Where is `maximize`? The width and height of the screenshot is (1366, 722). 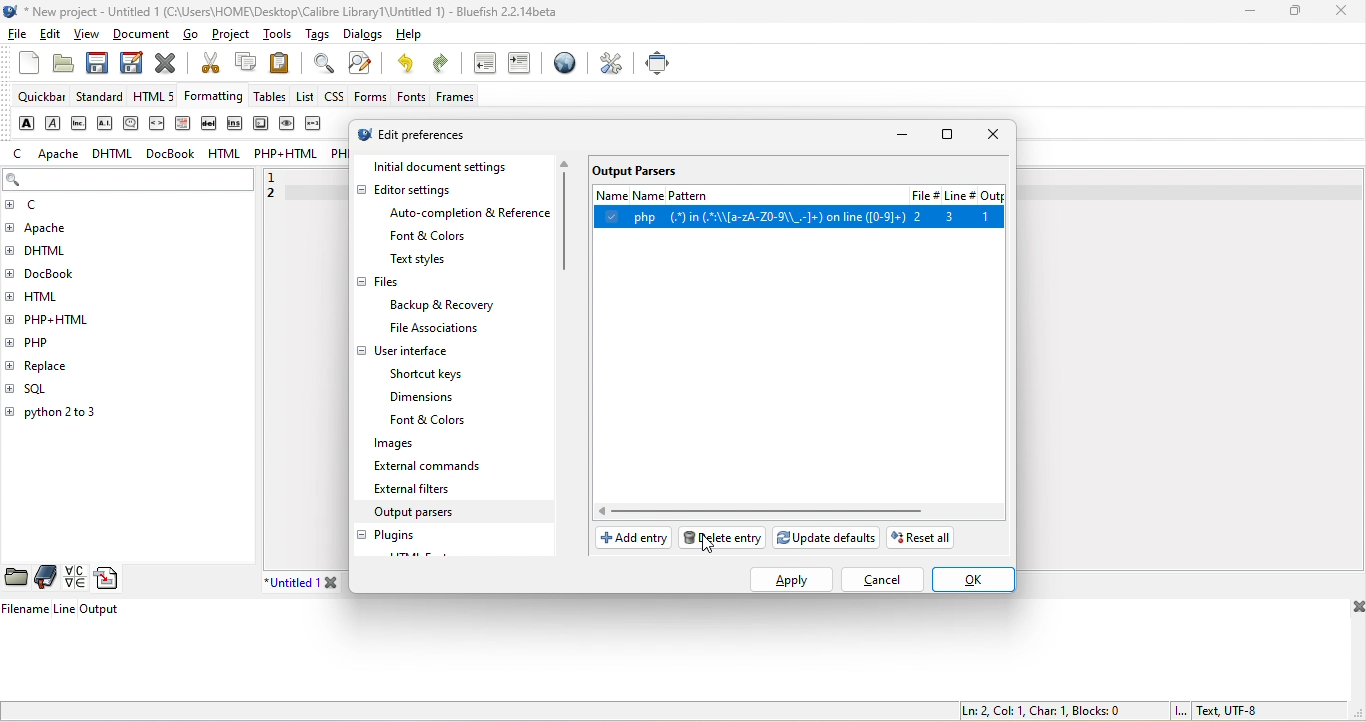 maximize is located at coordinates (1296, 13).